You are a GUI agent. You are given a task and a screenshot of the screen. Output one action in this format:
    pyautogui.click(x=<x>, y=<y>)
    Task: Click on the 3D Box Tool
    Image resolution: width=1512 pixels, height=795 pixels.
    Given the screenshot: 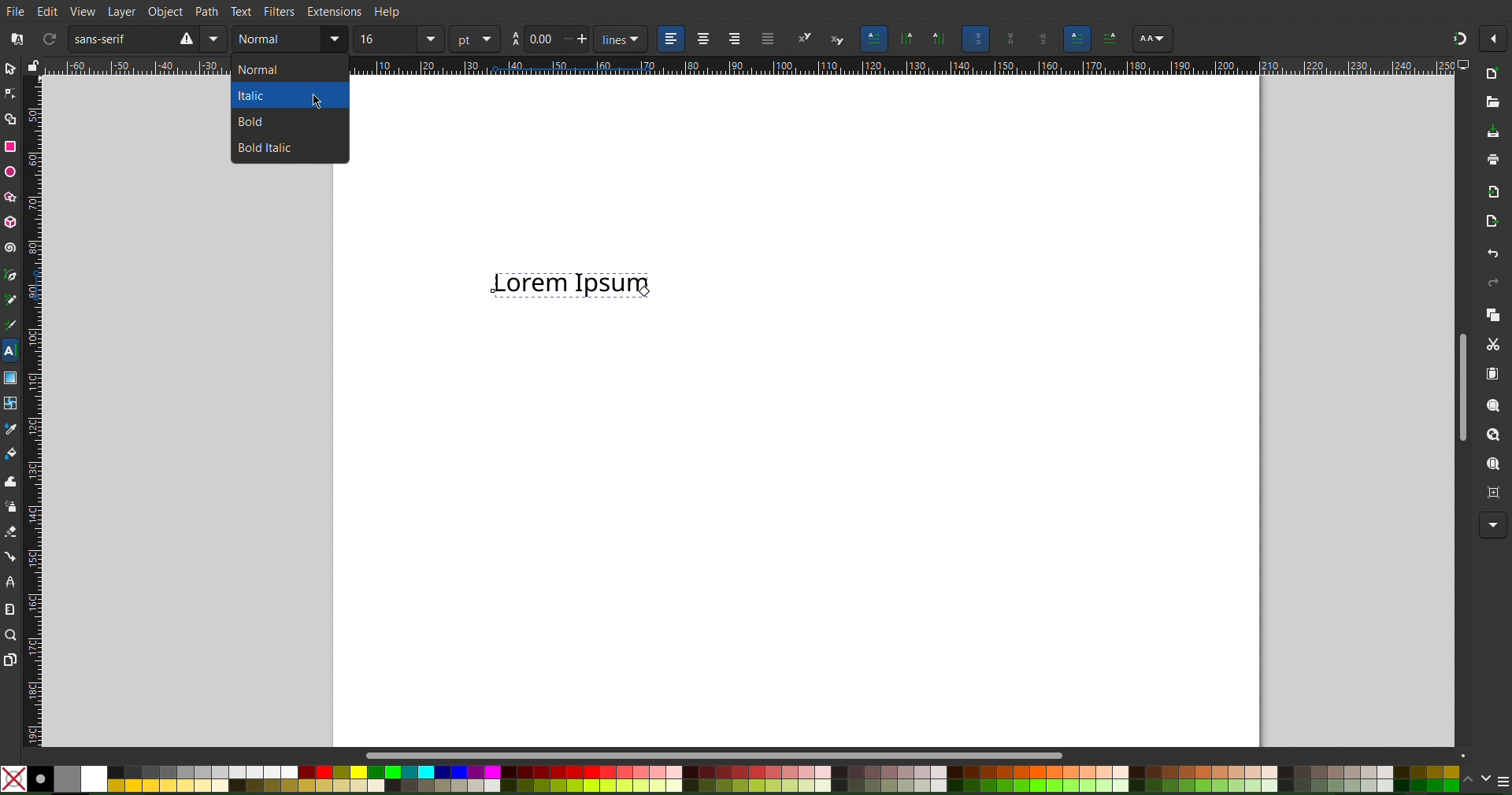 What is the action you would take?
    pyautogui.click(x=10, y=221)
    